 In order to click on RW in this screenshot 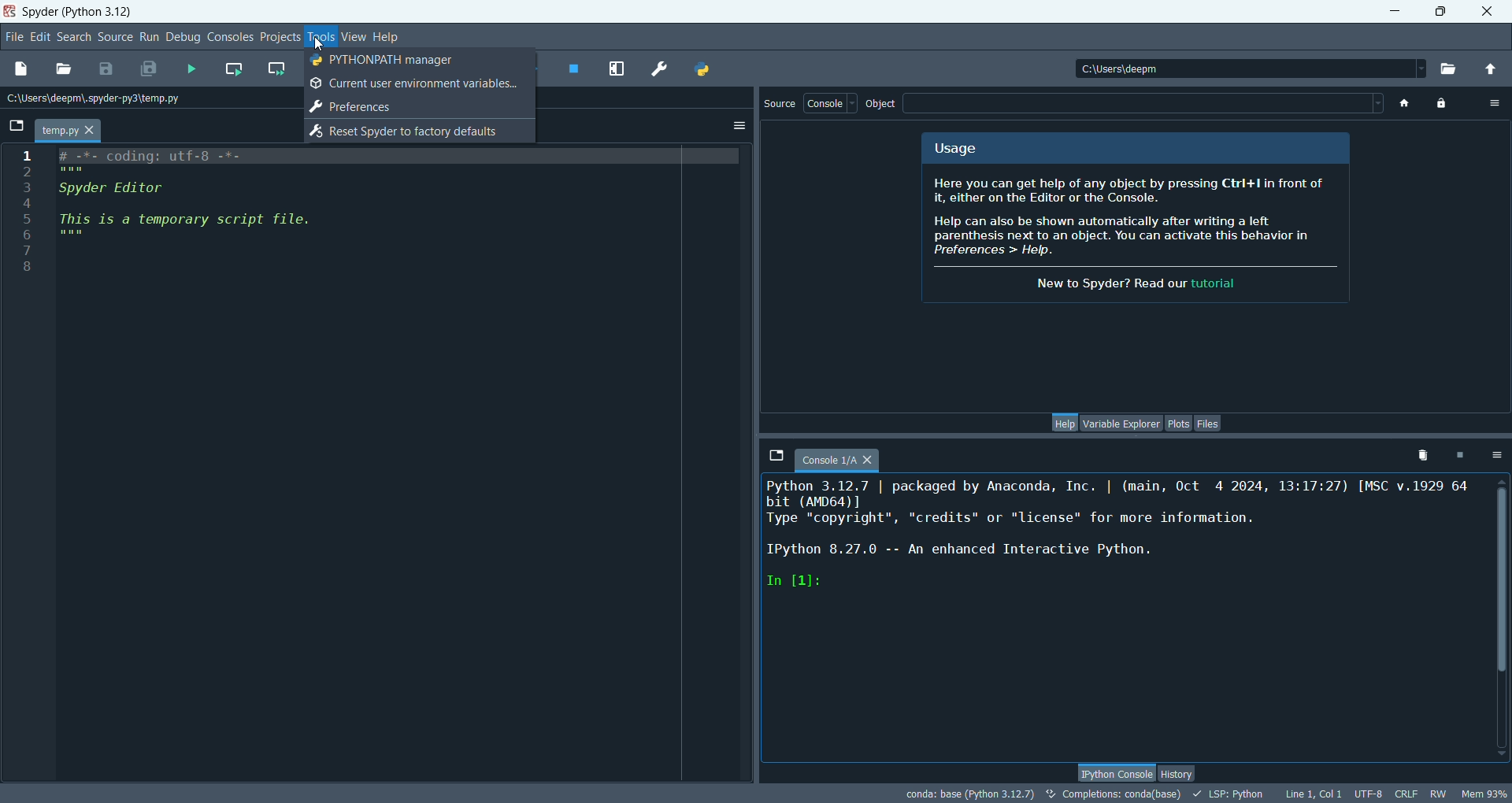, I will do `click(1438, 795)`.